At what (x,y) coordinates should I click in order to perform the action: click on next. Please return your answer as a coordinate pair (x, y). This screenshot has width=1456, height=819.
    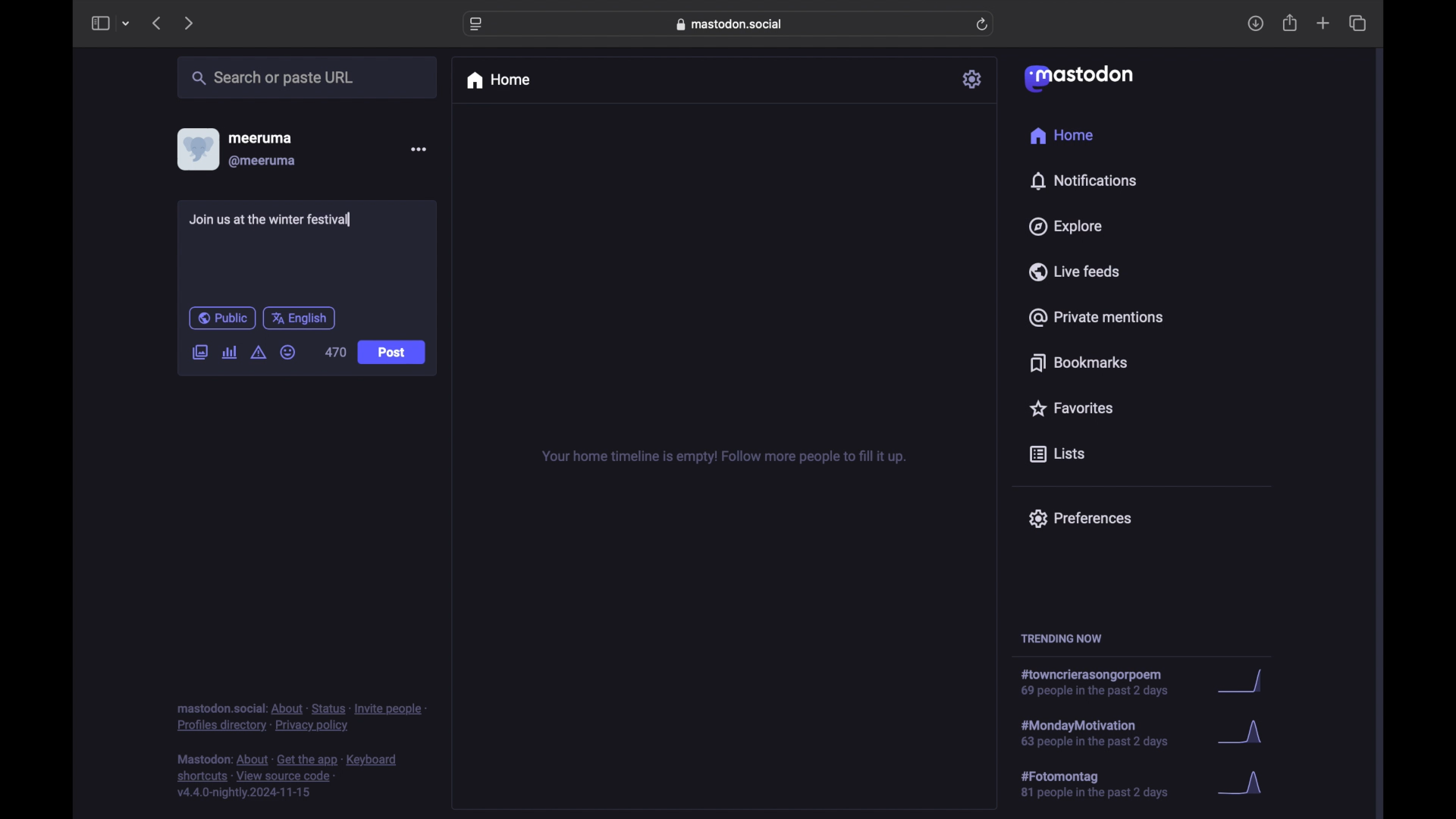
    Looking at the image, I should click on (190, 23).